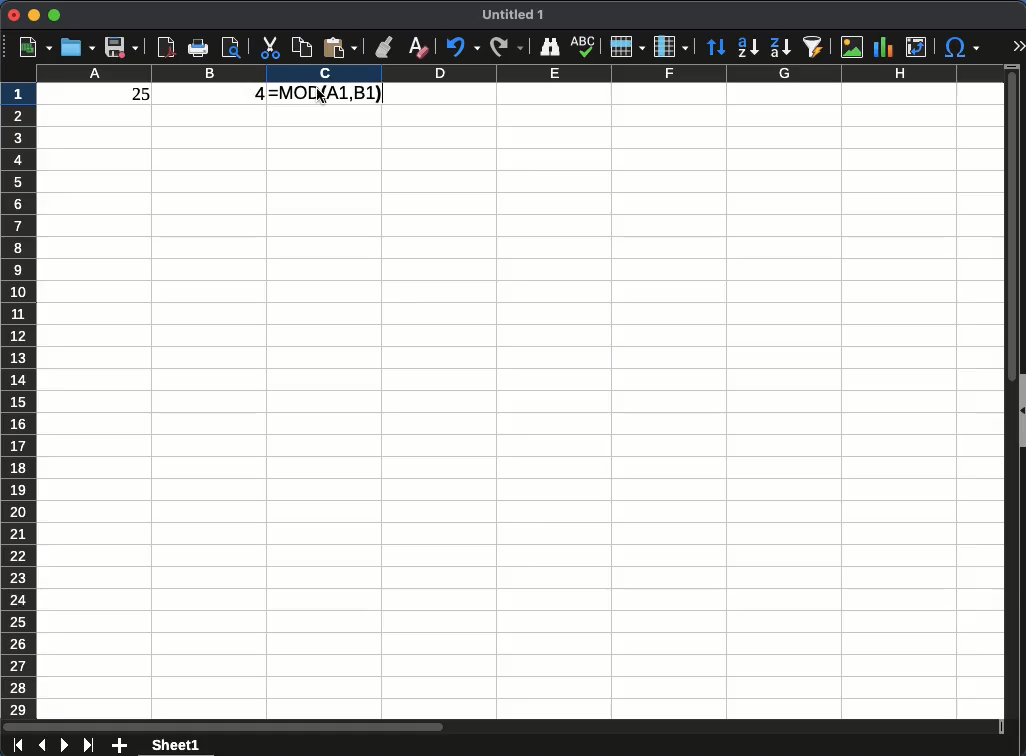 Image resolution: width=1026 pixels, height=756 pixels. What do you see at coordinates (515, 15) in the screenshot?
I see `Untitled 1` at bounding box center [515, 15].